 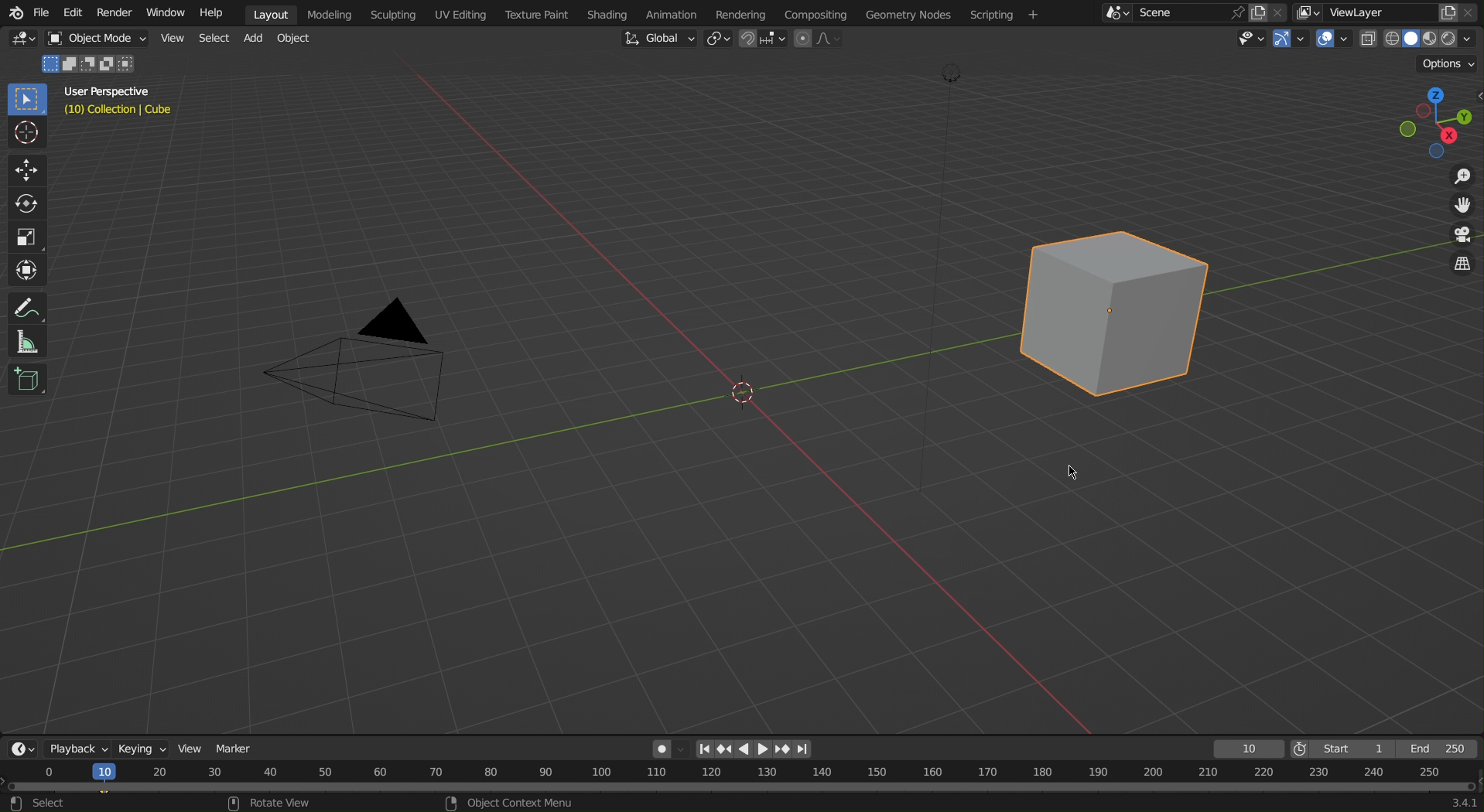 I want to click on ViewLayer, so click(x=1369, y=12).